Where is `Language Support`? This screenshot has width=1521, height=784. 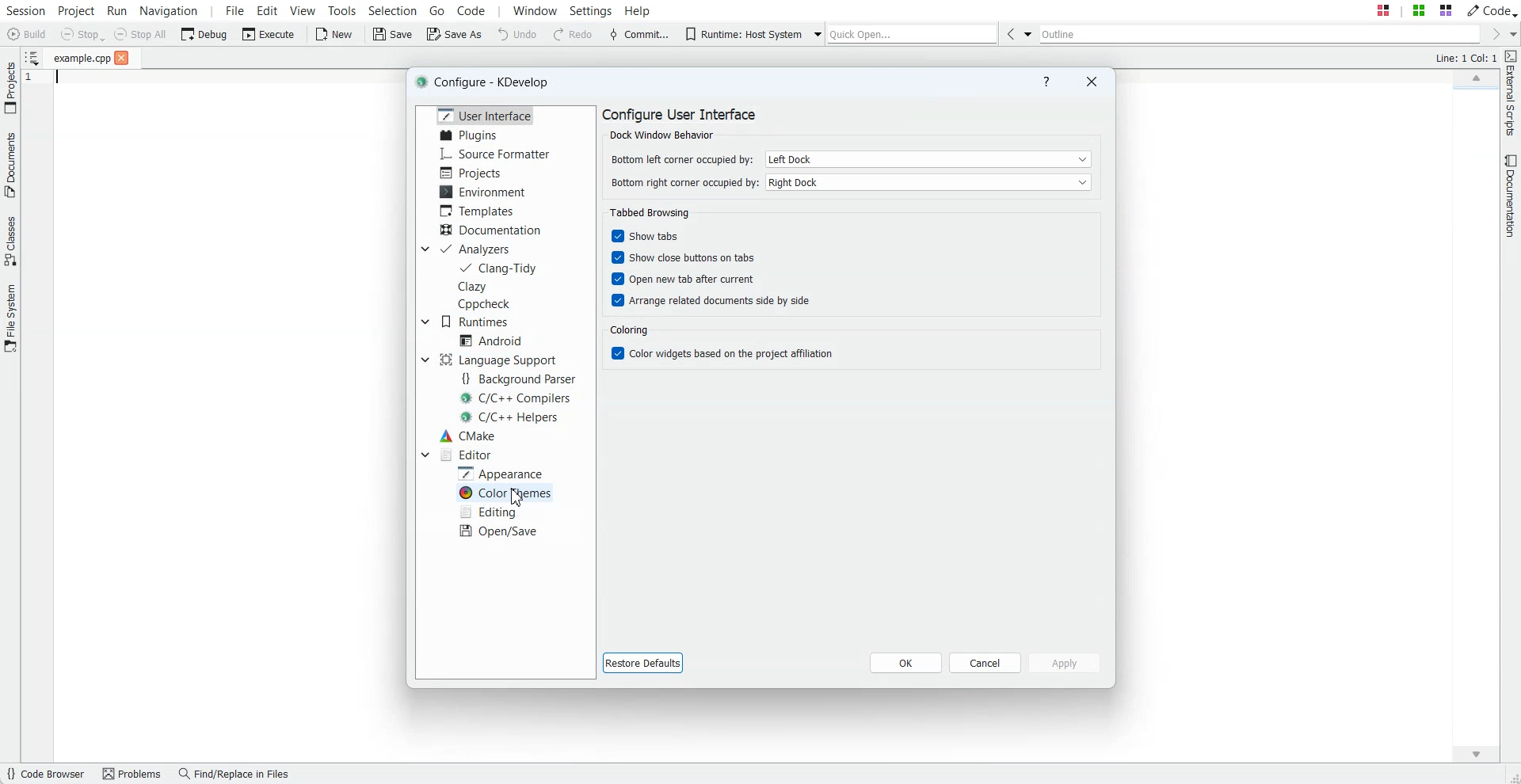
Language Support is located at coordinates (497, 360).